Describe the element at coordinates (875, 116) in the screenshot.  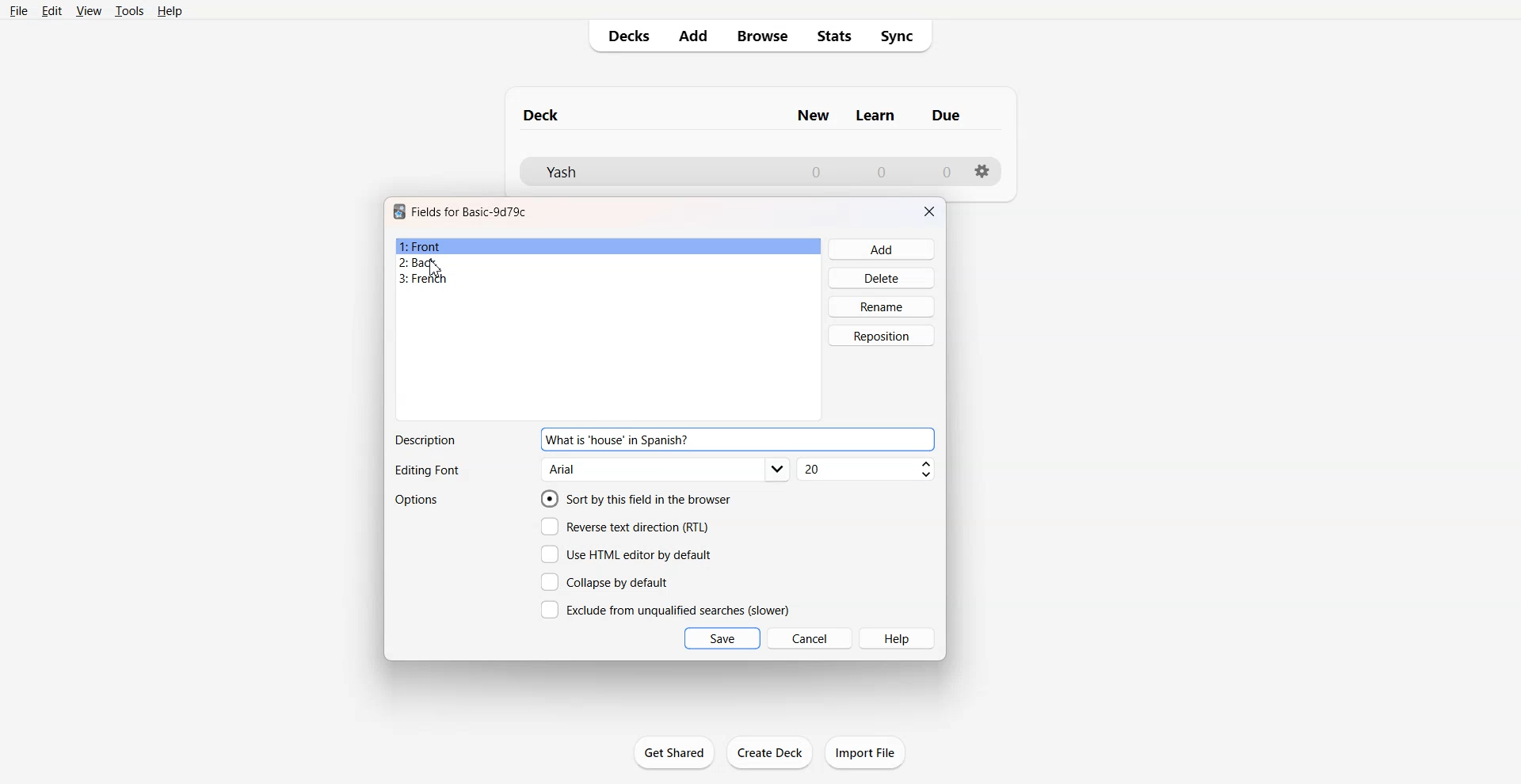
I see `Column name` at that location.